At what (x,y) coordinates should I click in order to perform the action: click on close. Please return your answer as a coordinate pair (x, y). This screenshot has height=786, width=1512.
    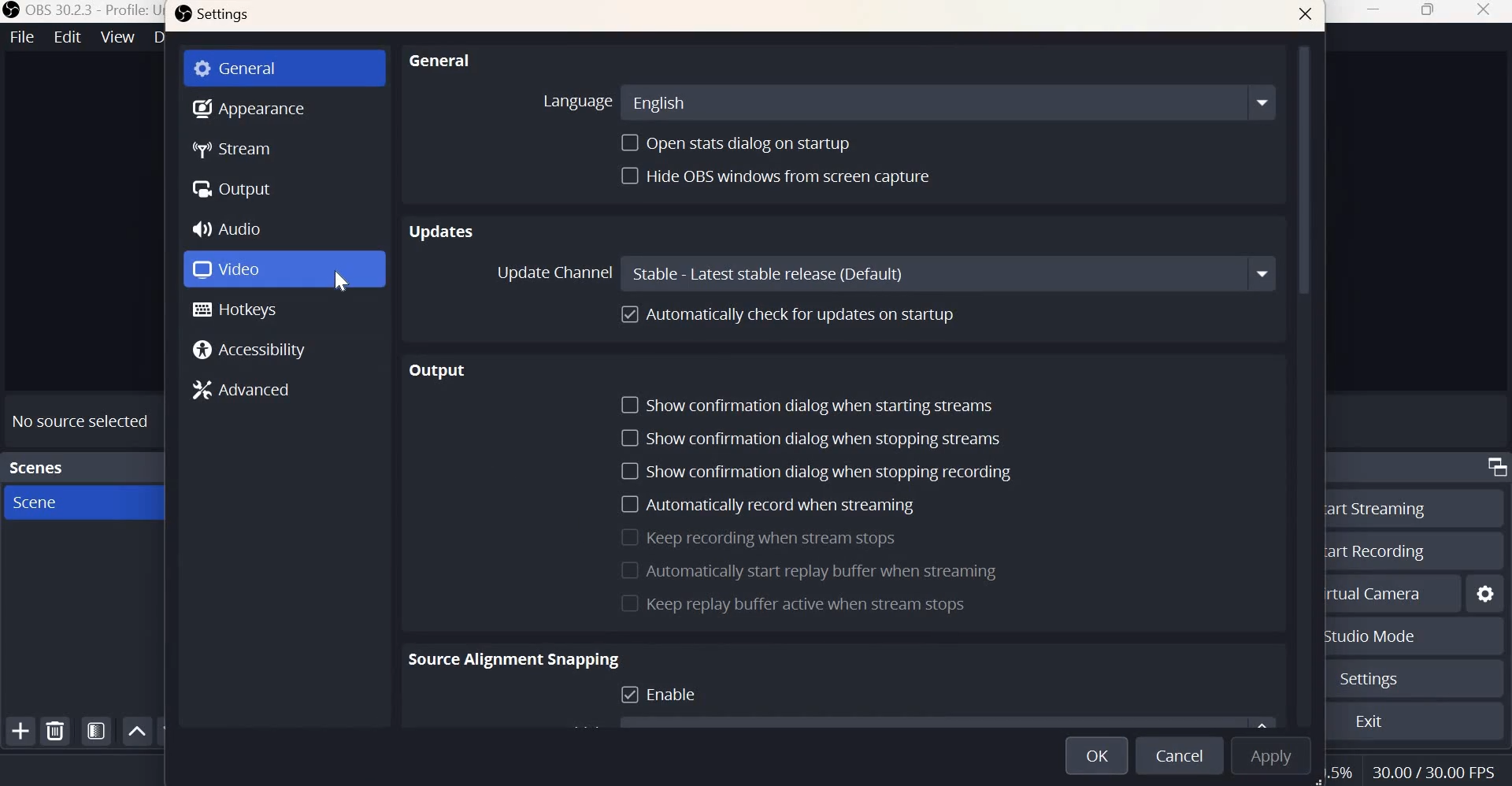
    Looking at the image, I should click on (1483, 11).